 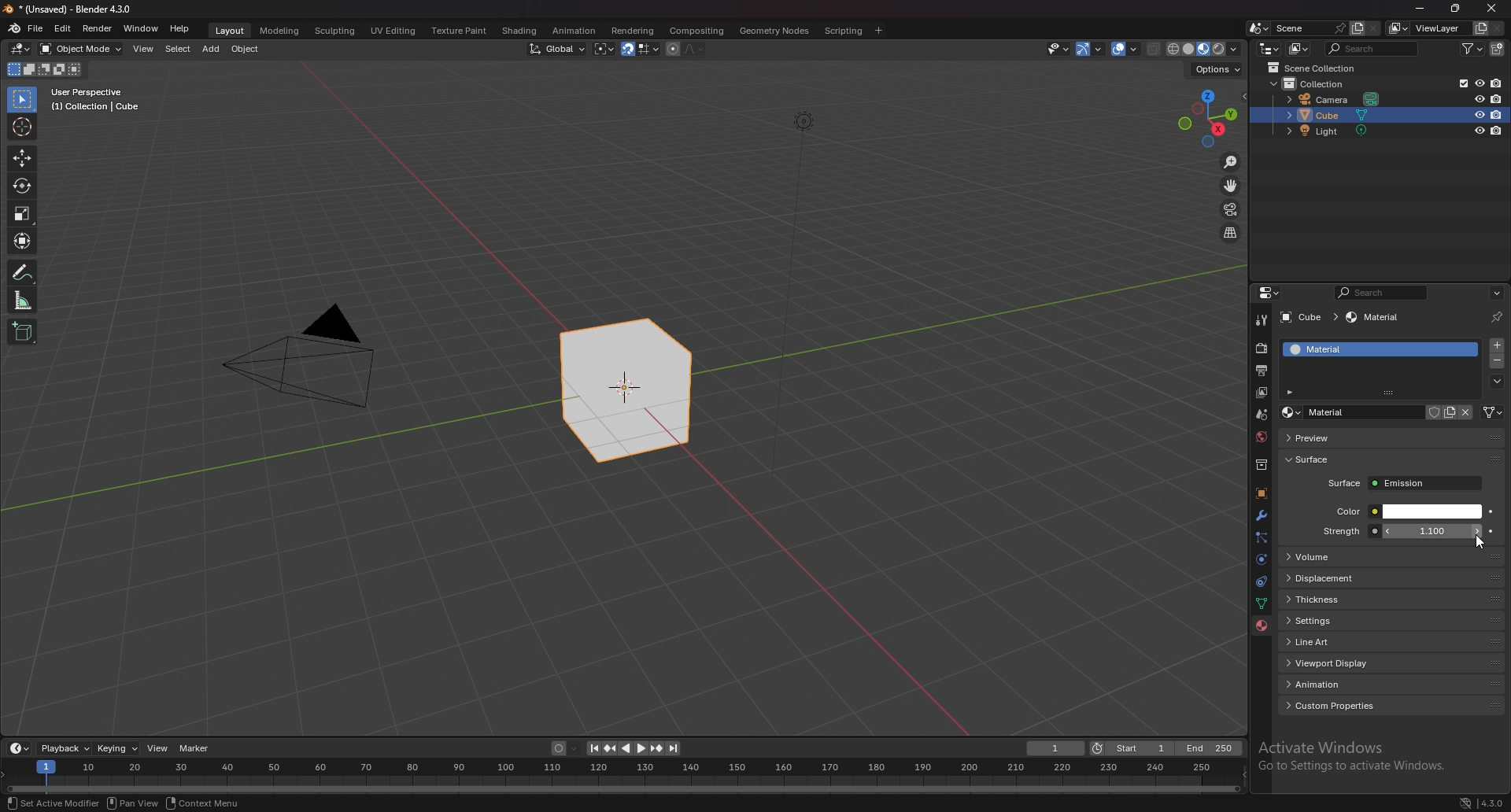 What do you see at coordinates (1420, 9) in the screenshot?
I see `minimize` at bounding box center [1420, 9].